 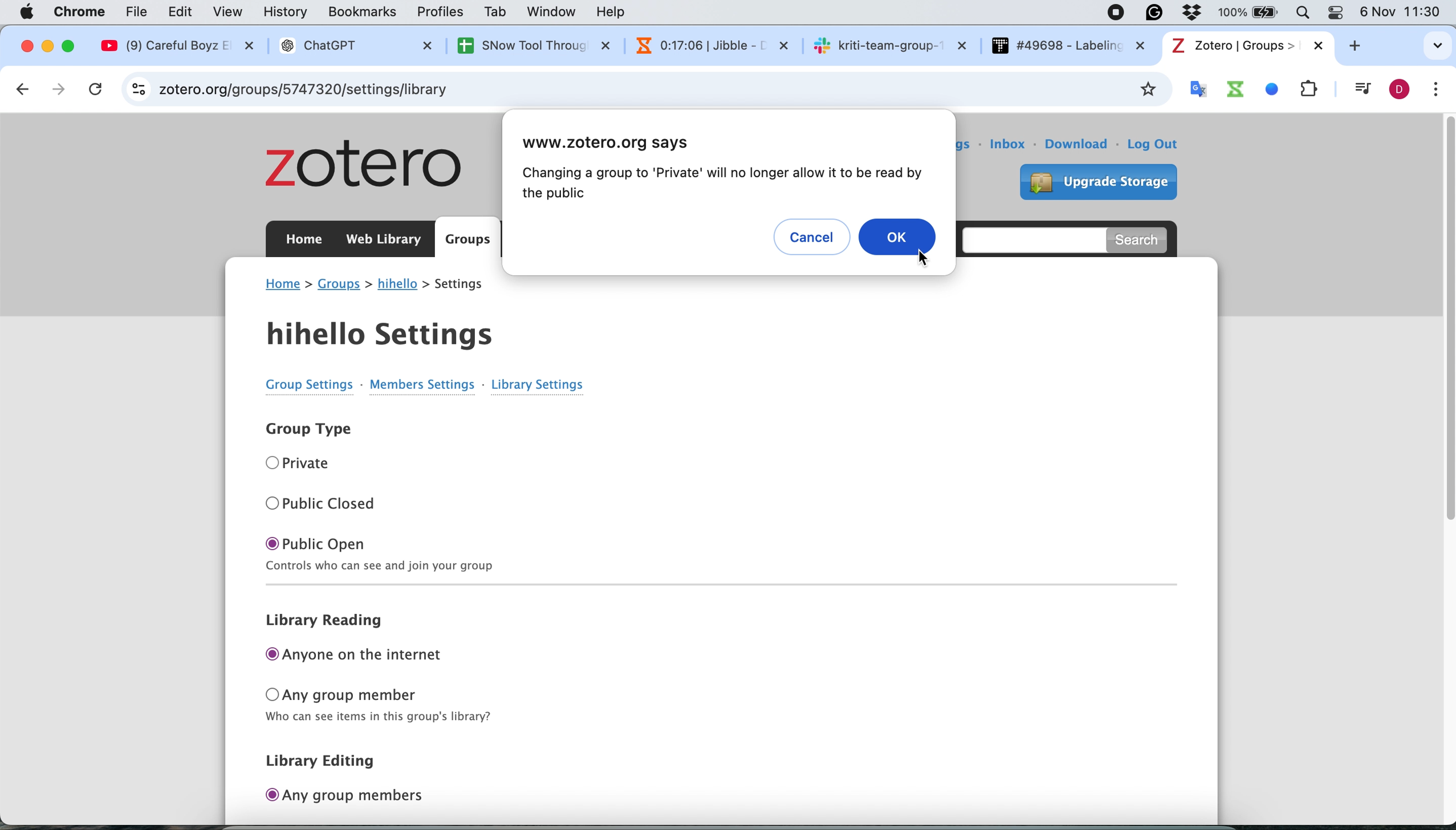 I want to click on settings, so click(x=946, y=140).